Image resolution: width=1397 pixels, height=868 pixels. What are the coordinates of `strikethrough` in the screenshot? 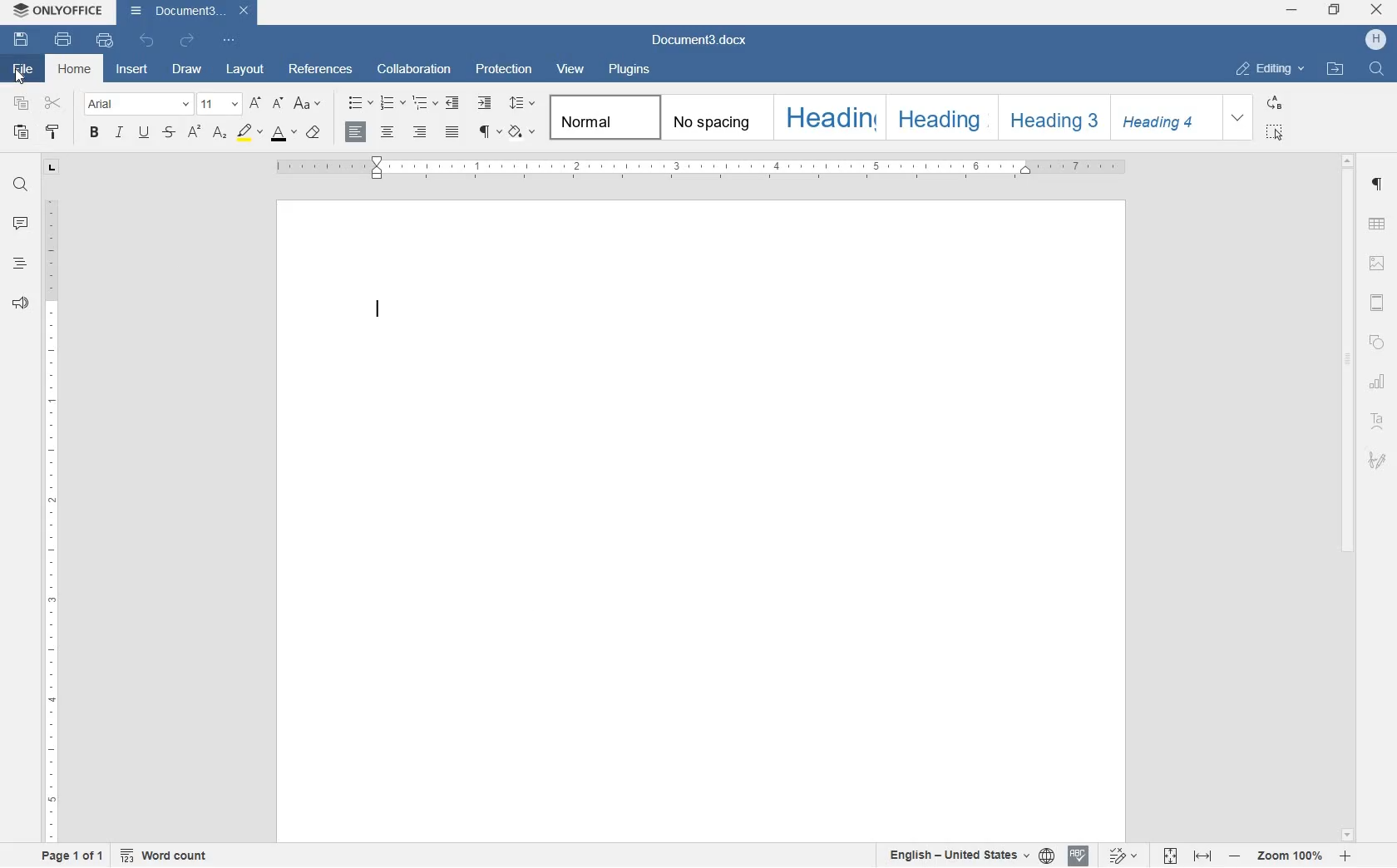 It's located at (169, 133).